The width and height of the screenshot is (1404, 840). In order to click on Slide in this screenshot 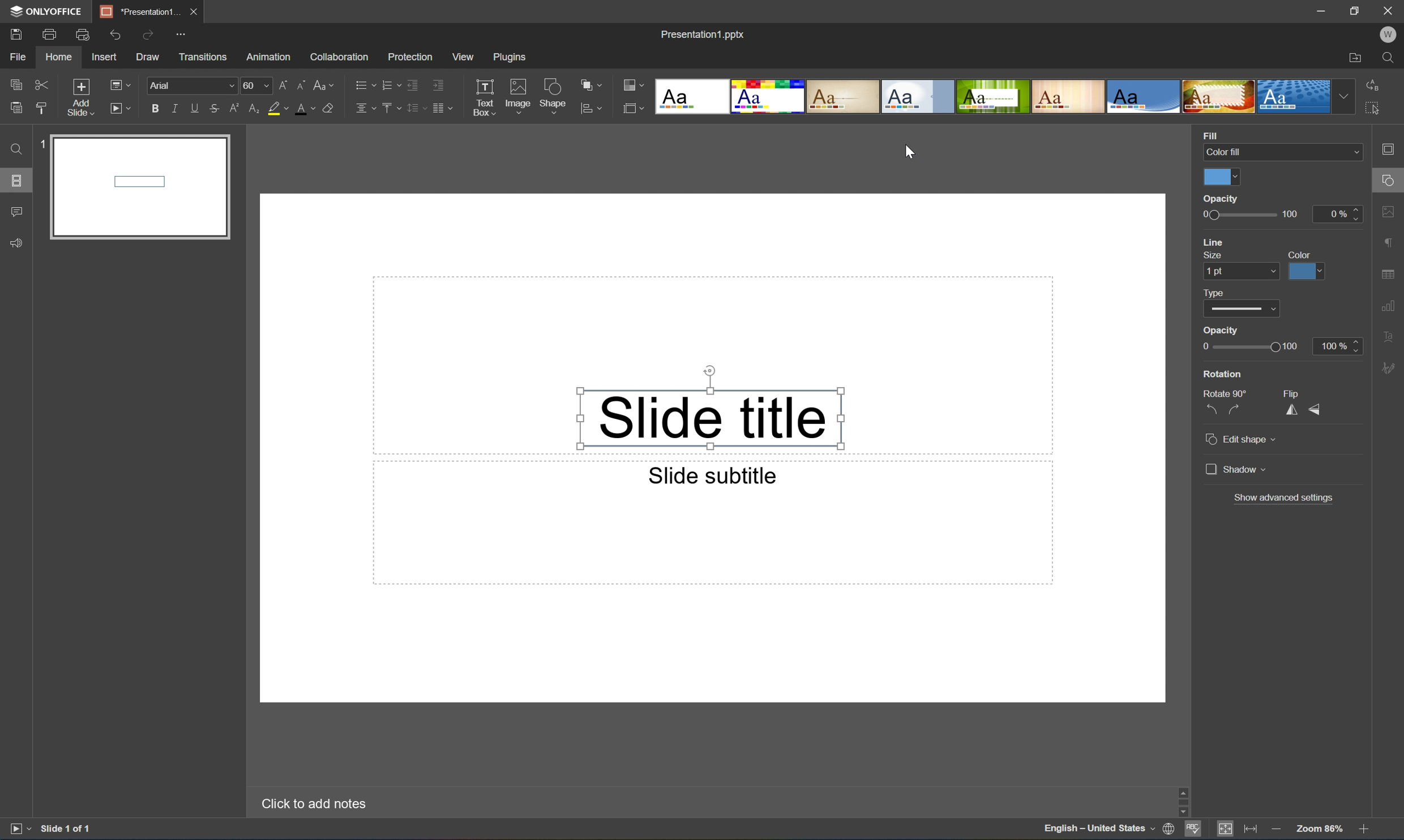, I will do `click(139, 189)`.